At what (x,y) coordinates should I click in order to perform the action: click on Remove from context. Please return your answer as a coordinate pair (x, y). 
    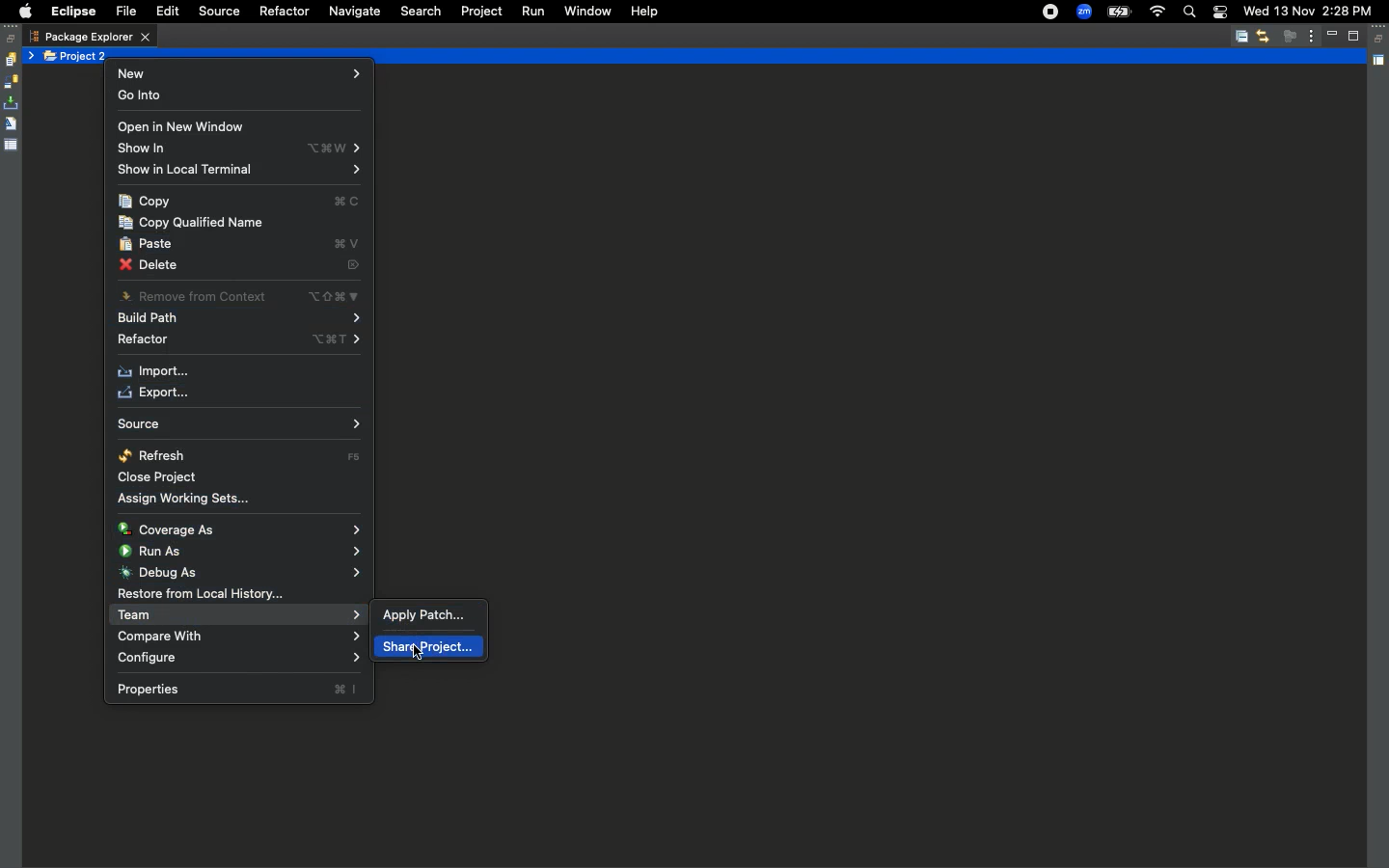
    Looking at the image, I should click on (238, 295).